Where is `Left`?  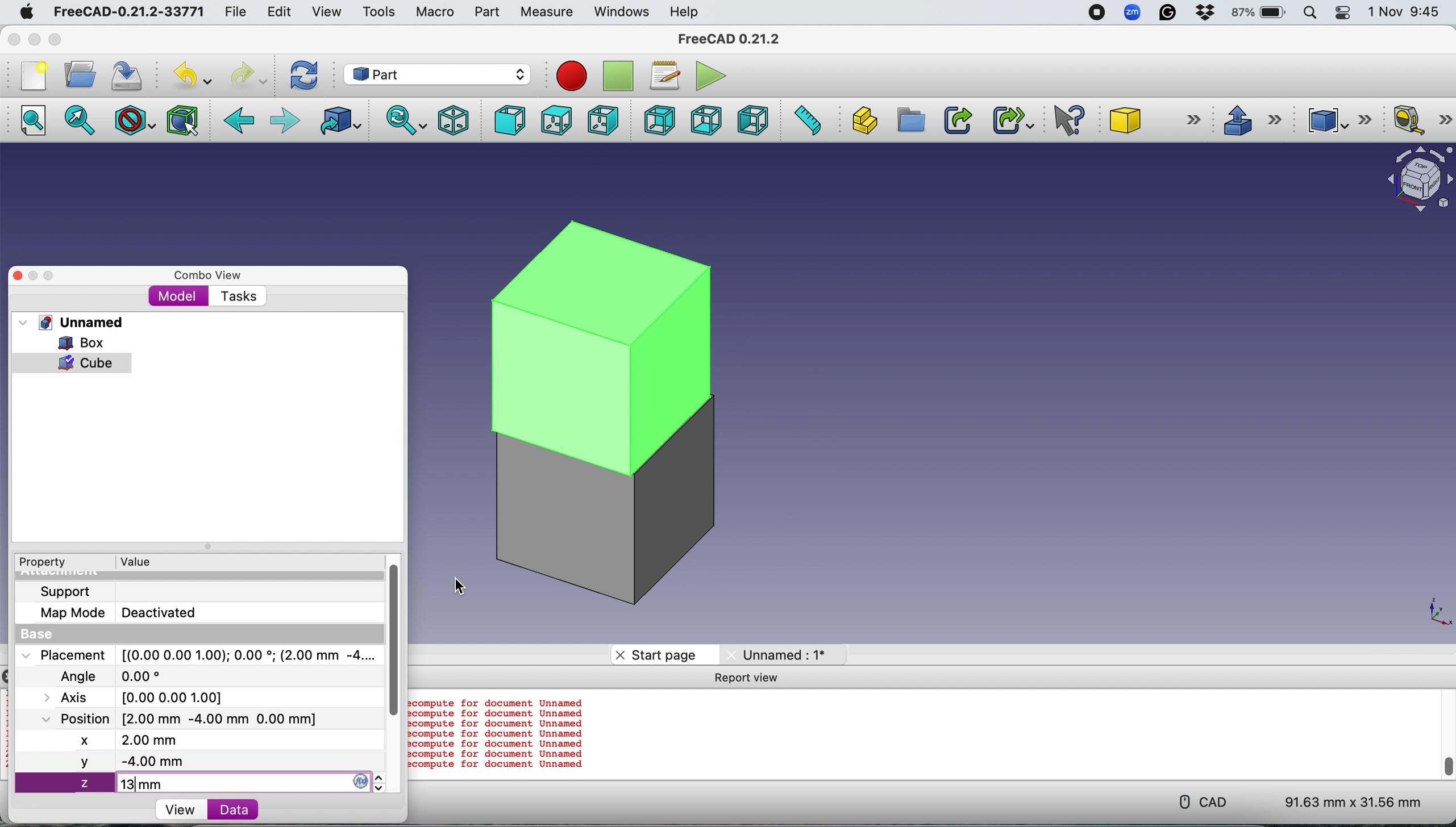
Left is located at coordinates (752, 120).